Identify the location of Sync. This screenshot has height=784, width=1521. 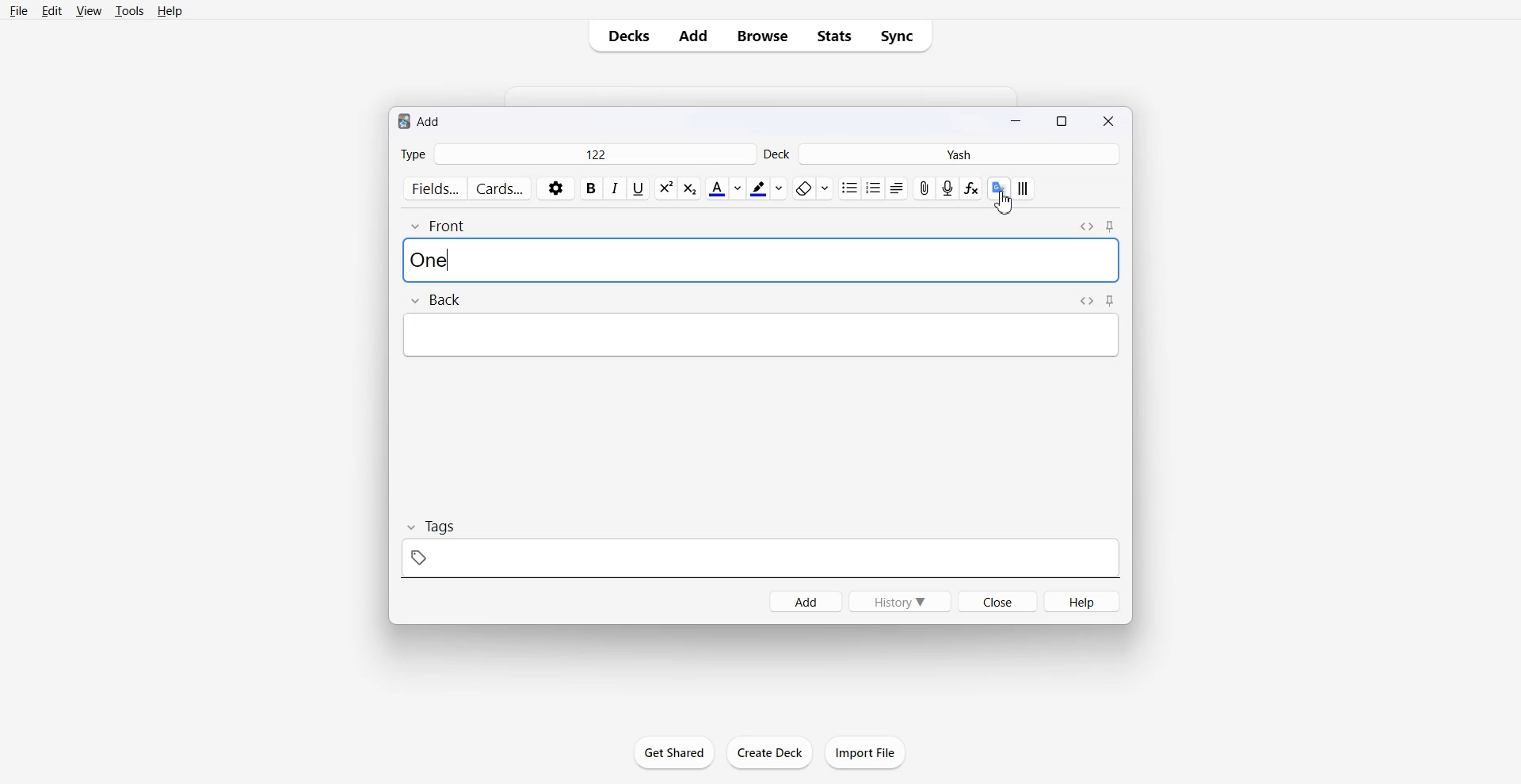
(902, 36).